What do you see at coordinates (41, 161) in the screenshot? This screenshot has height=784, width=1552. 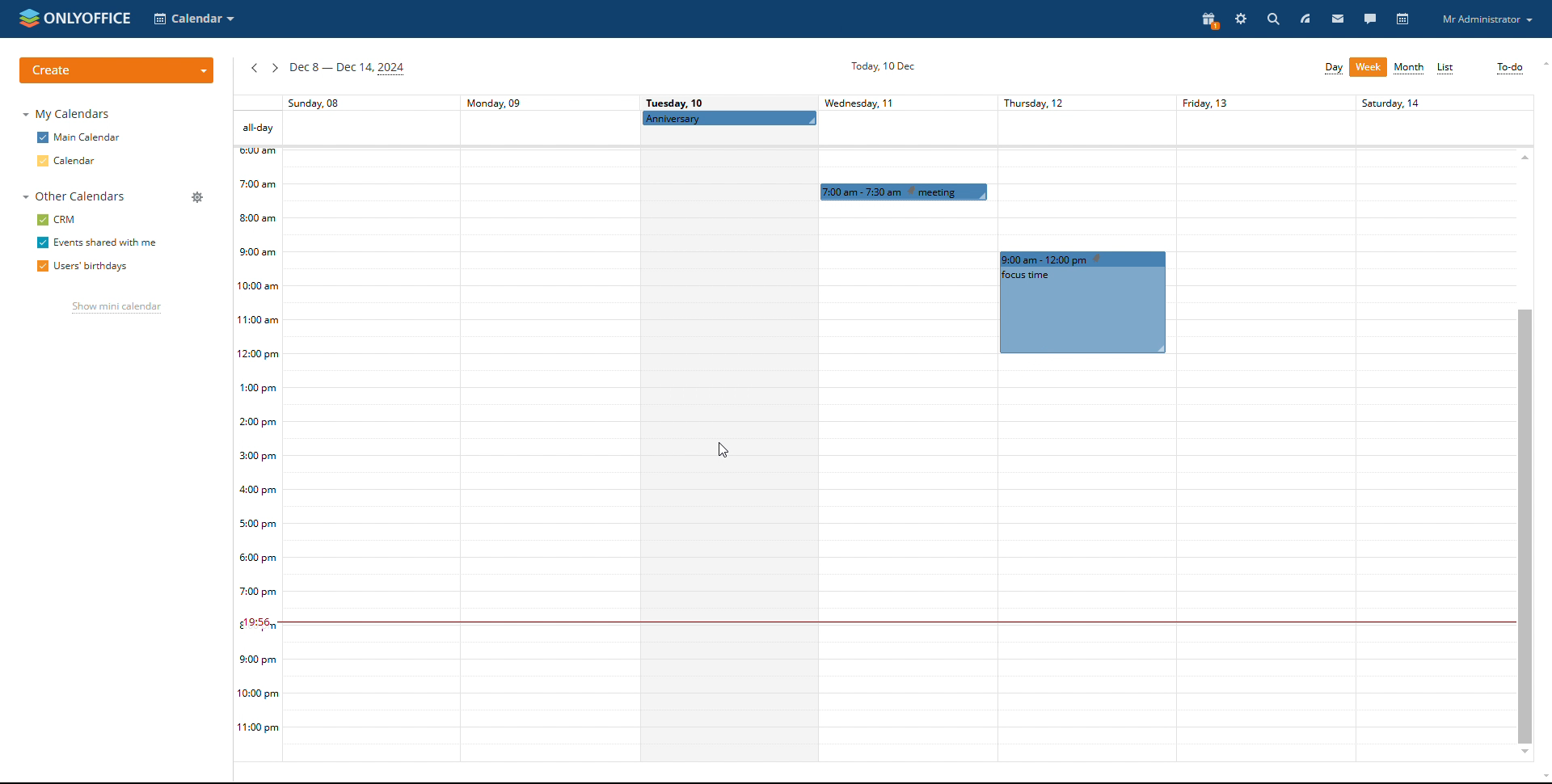 I see `checkbox` at bounding box center [41, 161].